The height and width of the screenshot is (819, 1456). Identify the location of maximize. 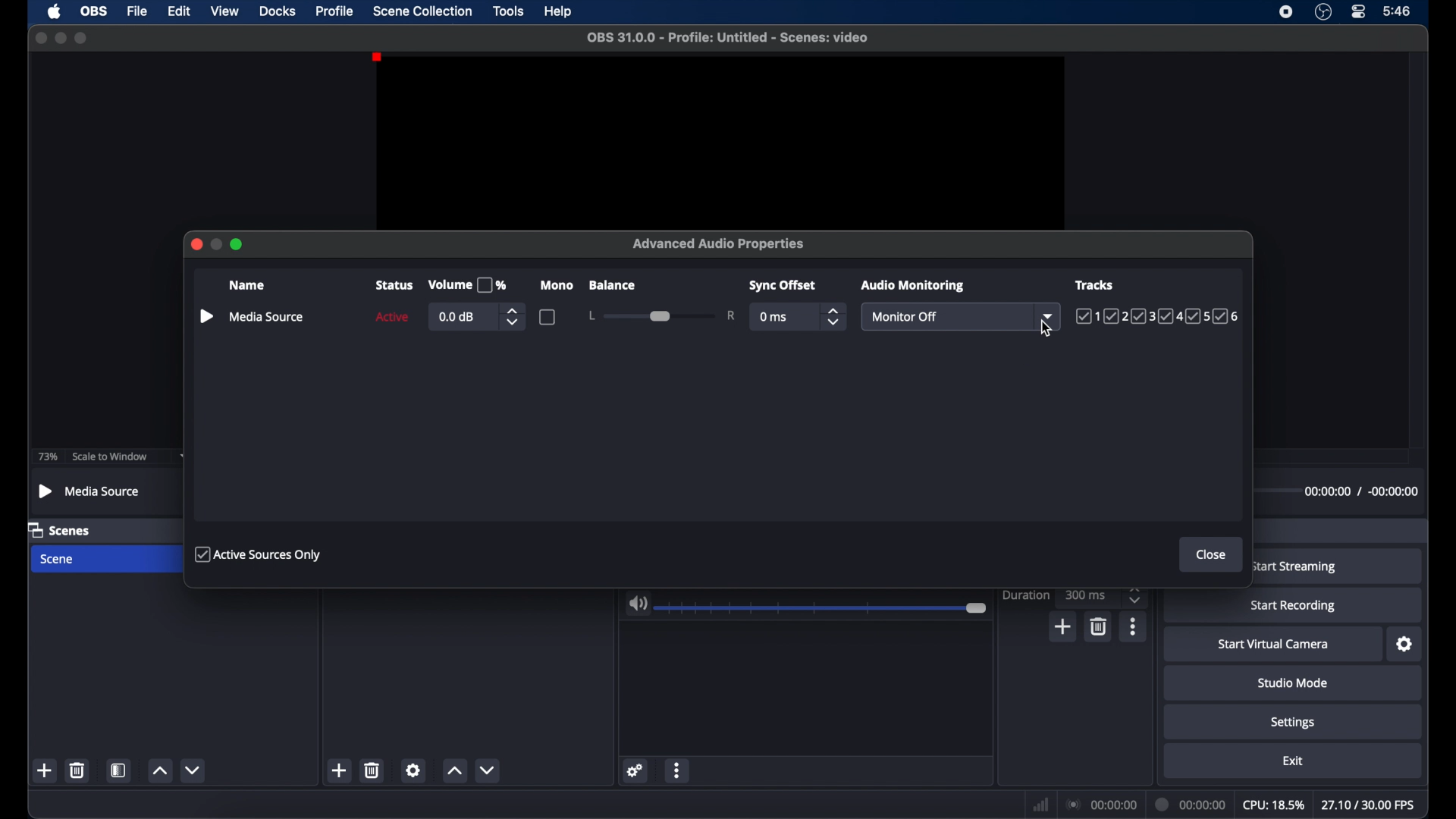
(238, 244).